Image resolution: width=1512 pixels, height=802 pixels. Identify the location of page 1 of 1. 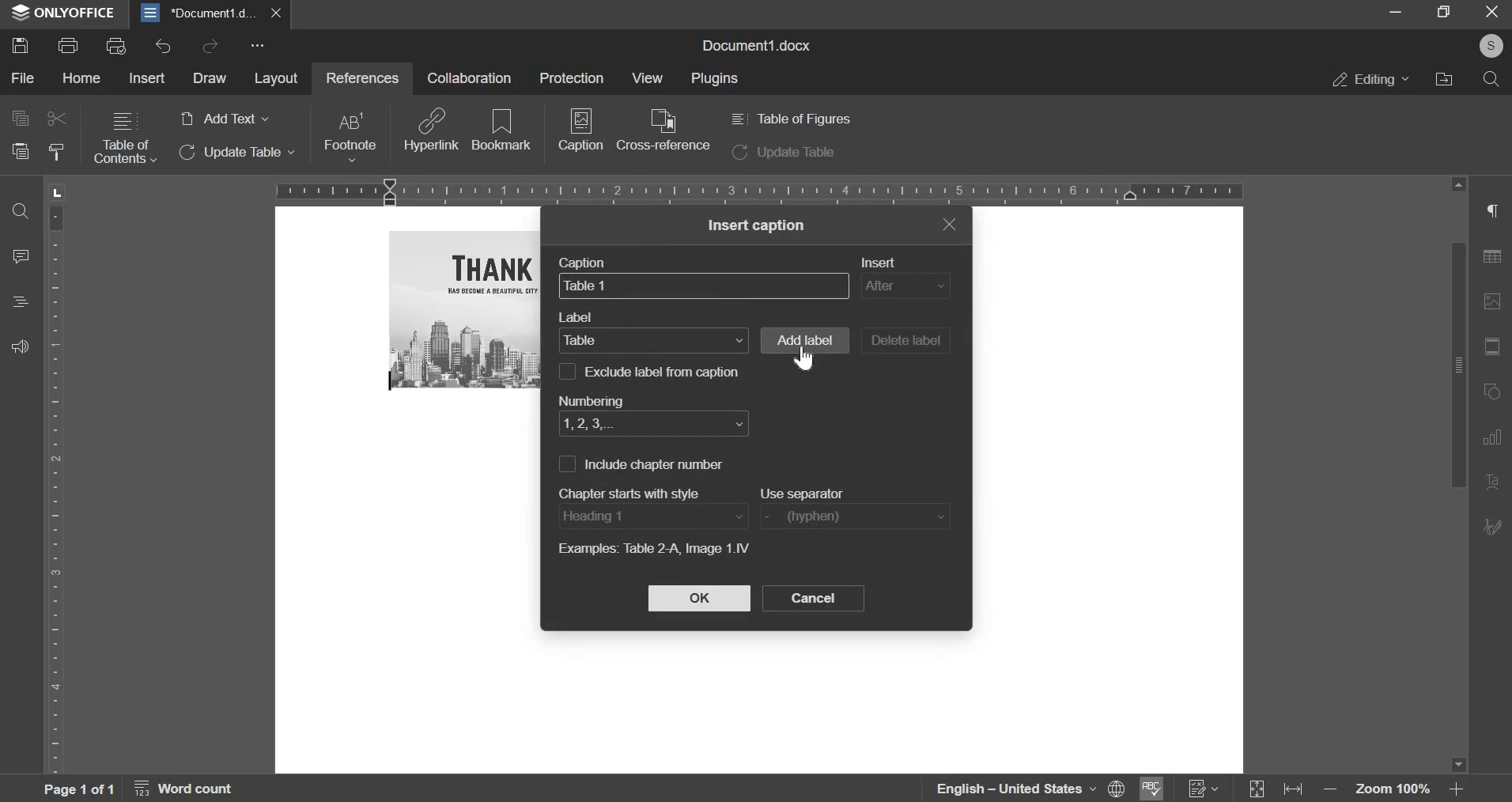
(76, 789).